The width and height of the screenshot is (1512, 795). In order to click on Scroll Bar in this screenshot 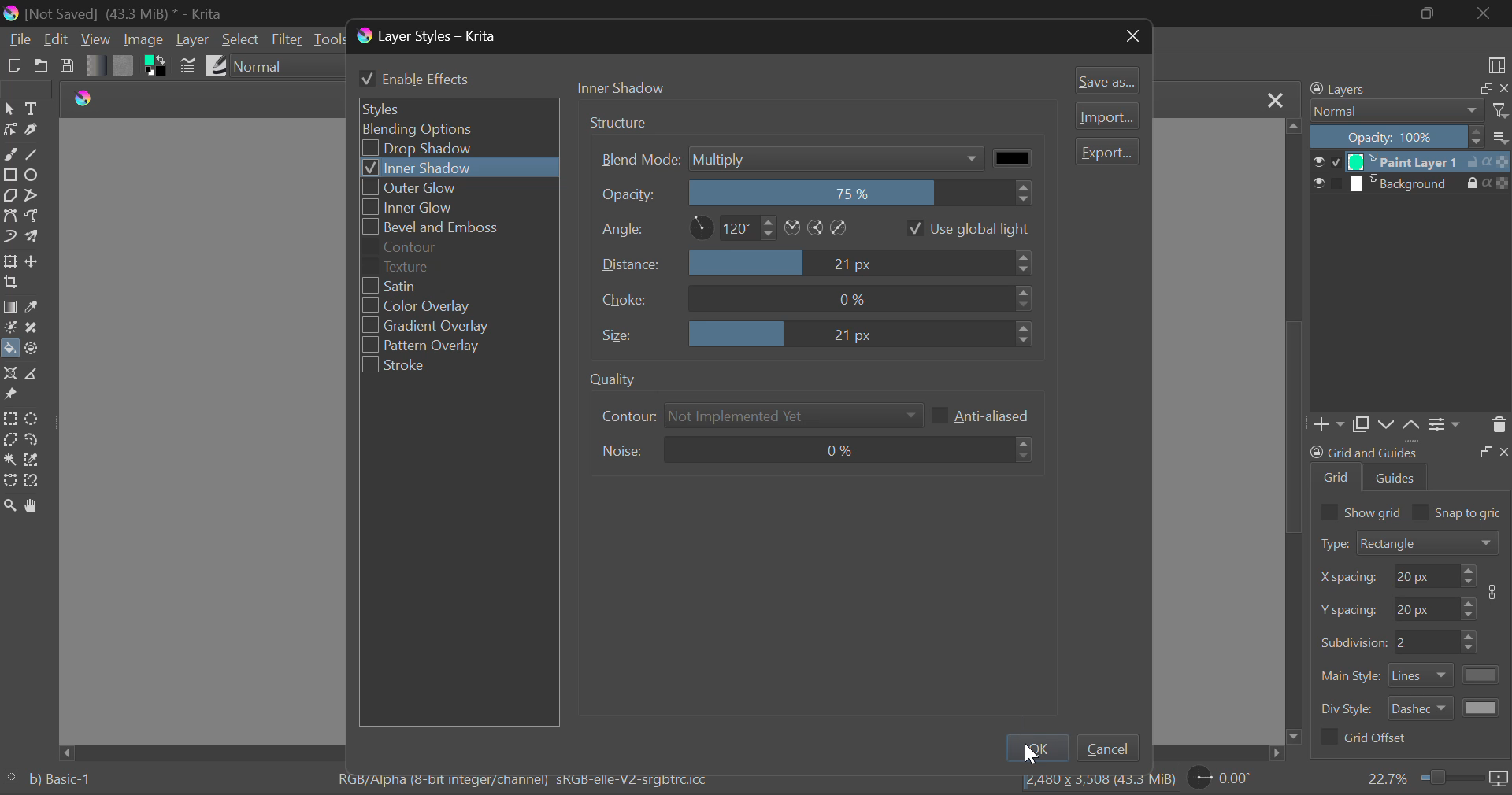, I will do `click(212, 753)`.